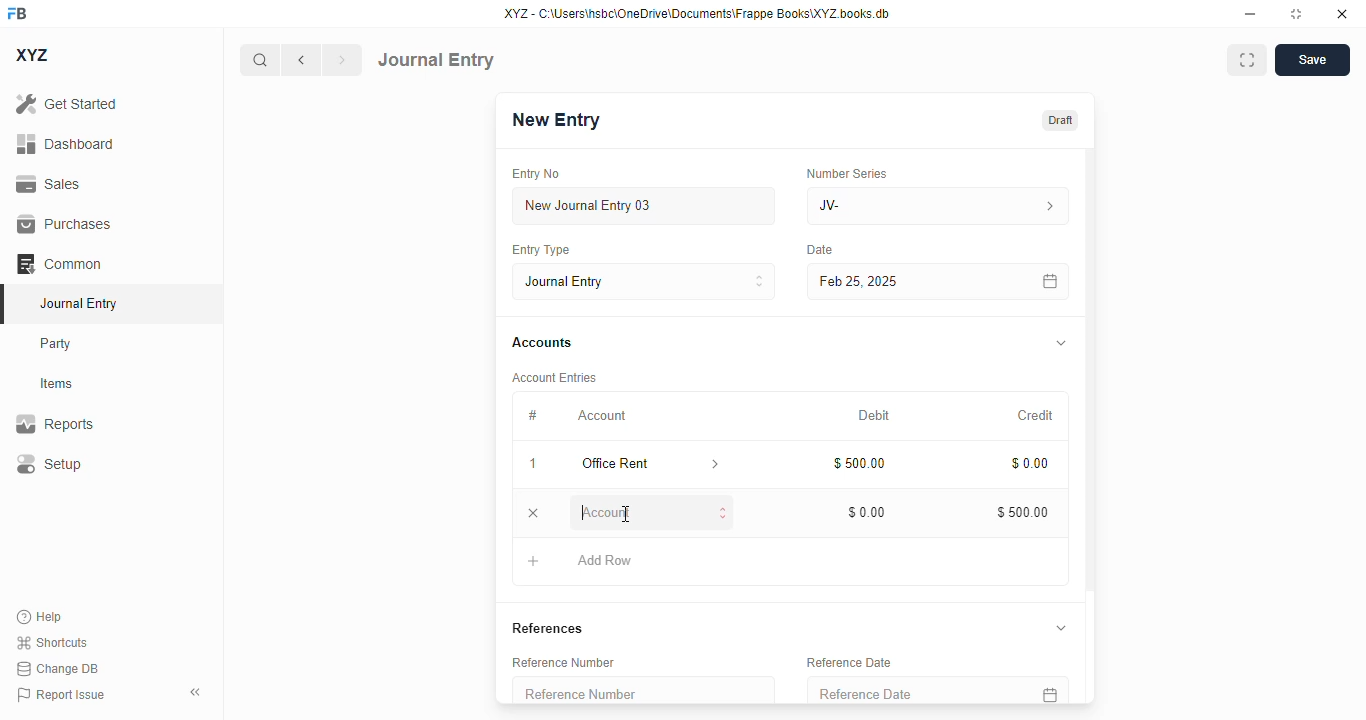  What do you see at coordinates (1023, 512) in the screenshot?
I see `$500.00` at bounding box center [1023, 512].